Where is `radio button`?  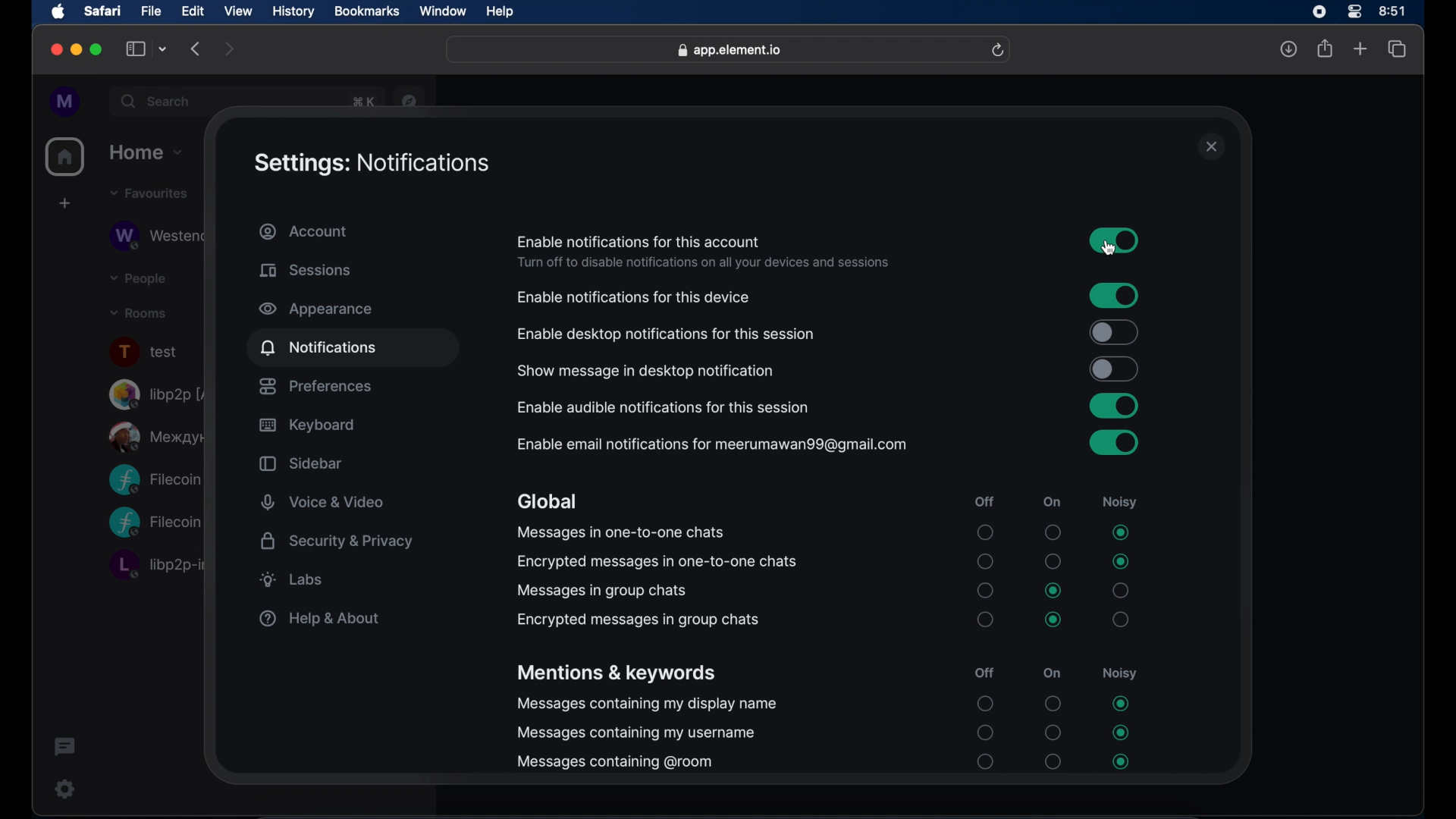 radio button is located at coordinates (985, 562).